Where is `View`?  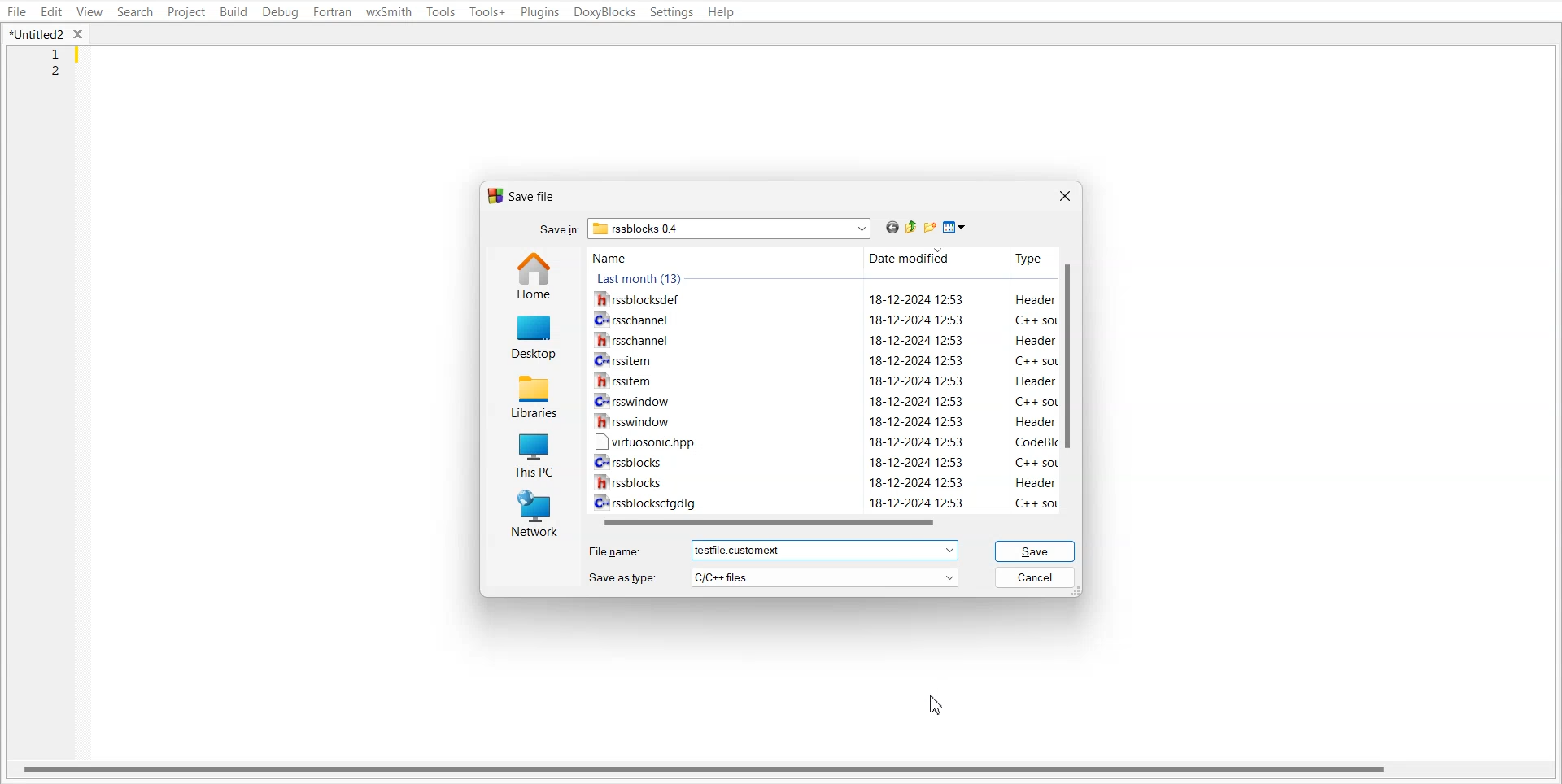 View is located at coordinates (89, 12).